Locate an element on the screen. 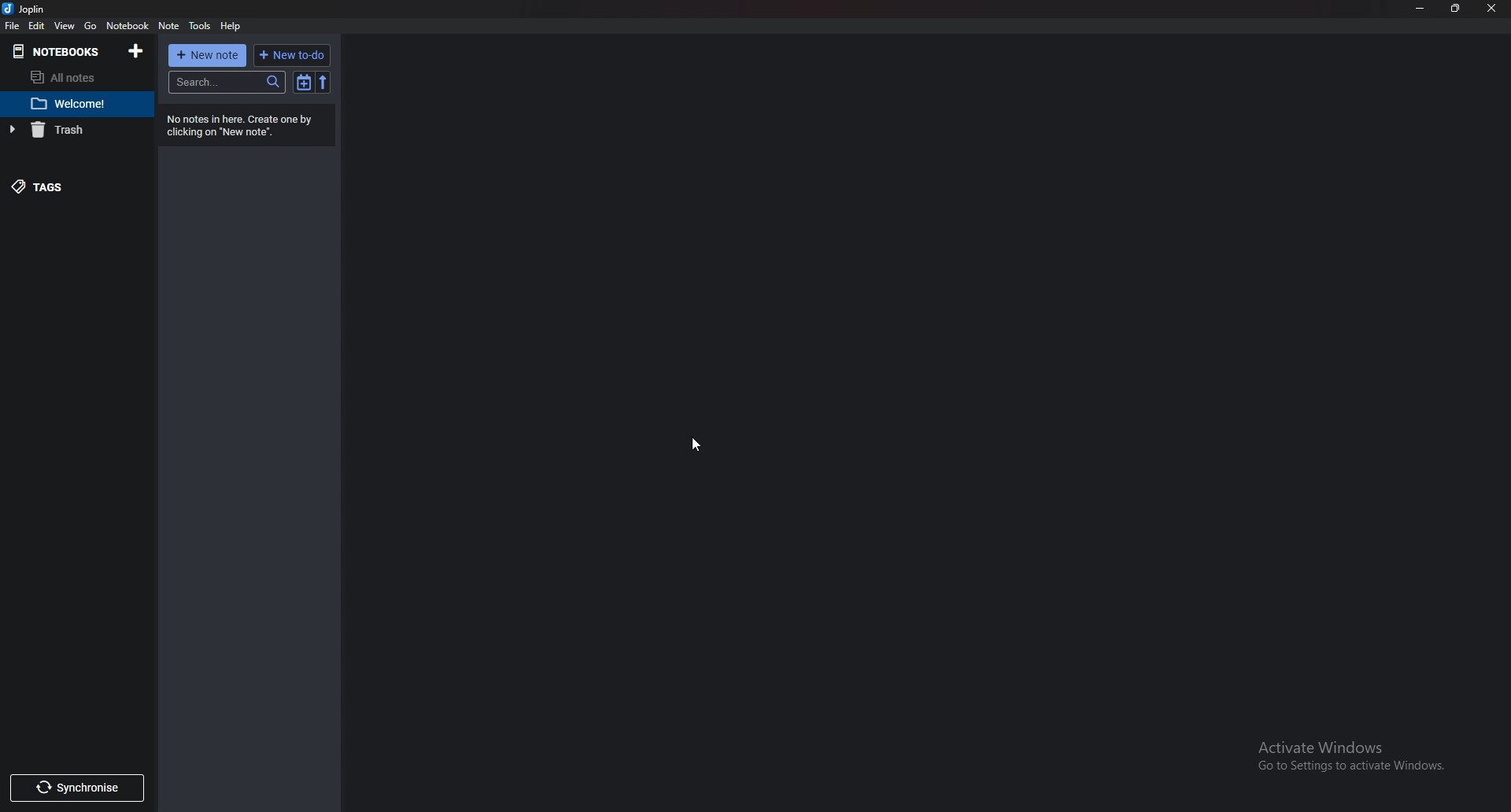 The width and height of the screenshot is (1511, 812). note is located at coordinates (168, 27).